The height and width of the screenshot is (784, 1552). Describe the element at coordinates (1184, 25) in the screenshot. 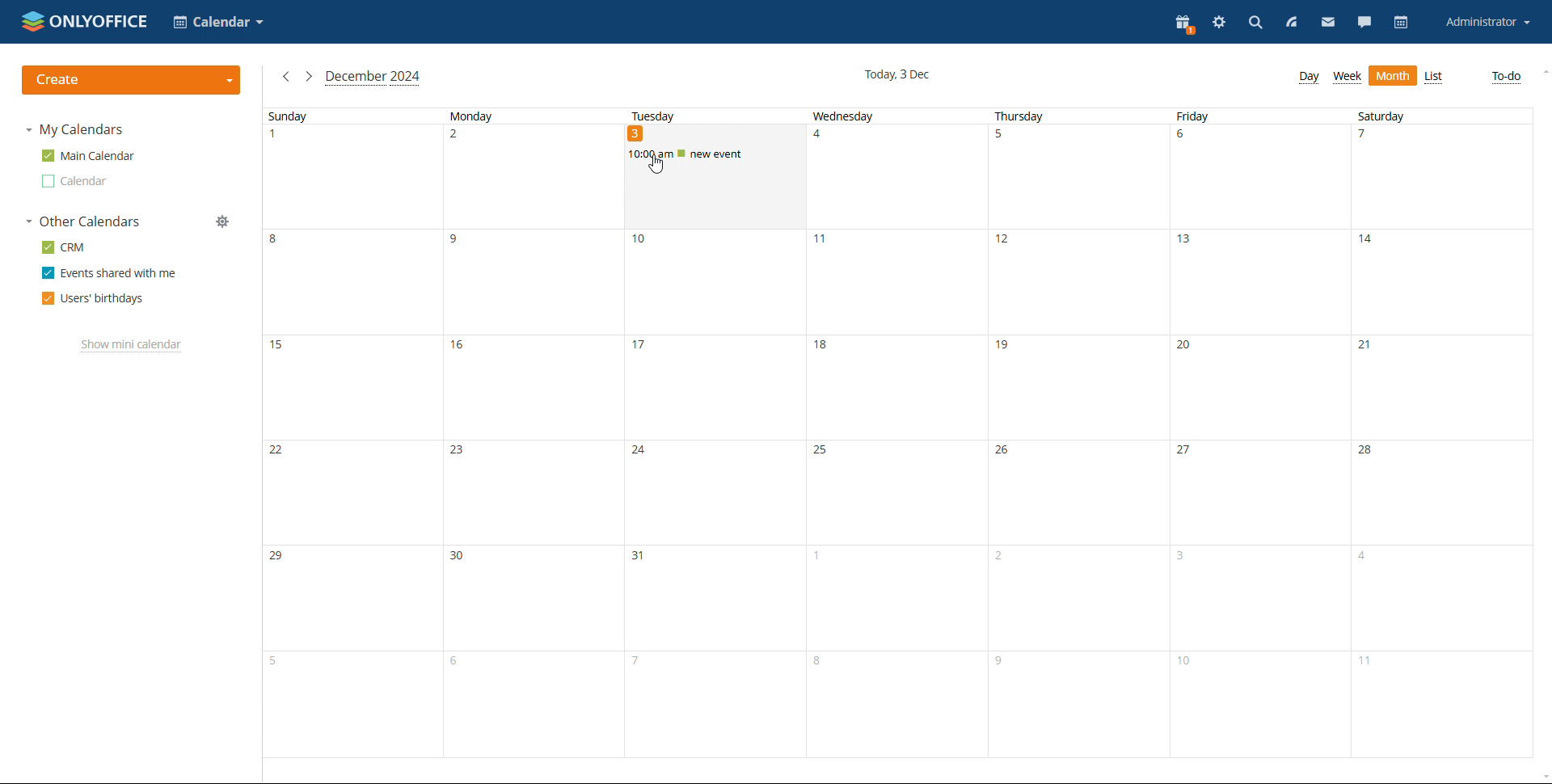

I see `present` at that location.